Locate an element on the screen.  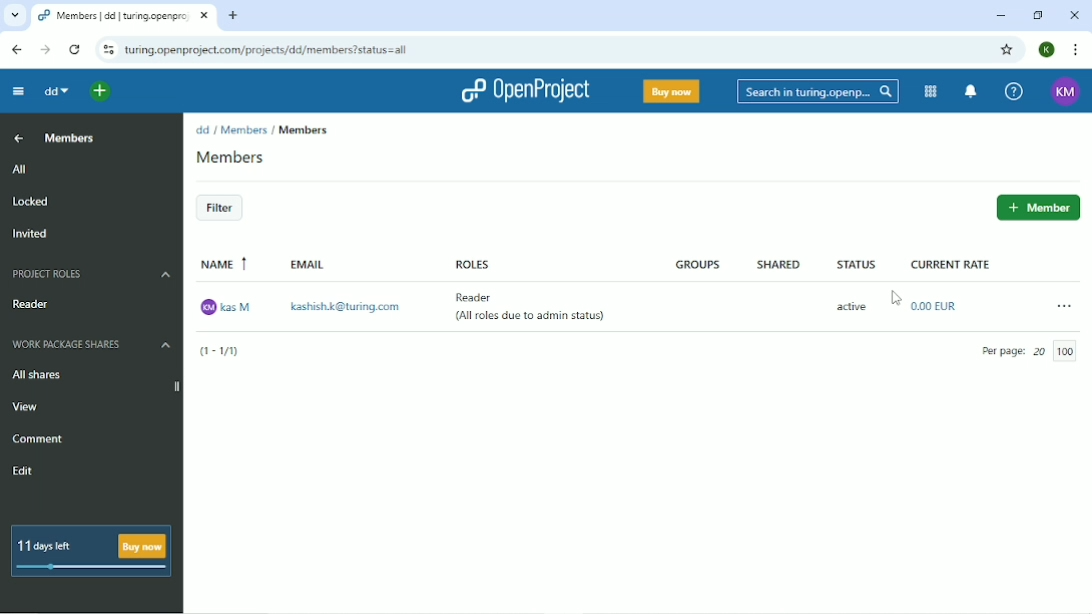
Name is located at coordinates (228, 265).